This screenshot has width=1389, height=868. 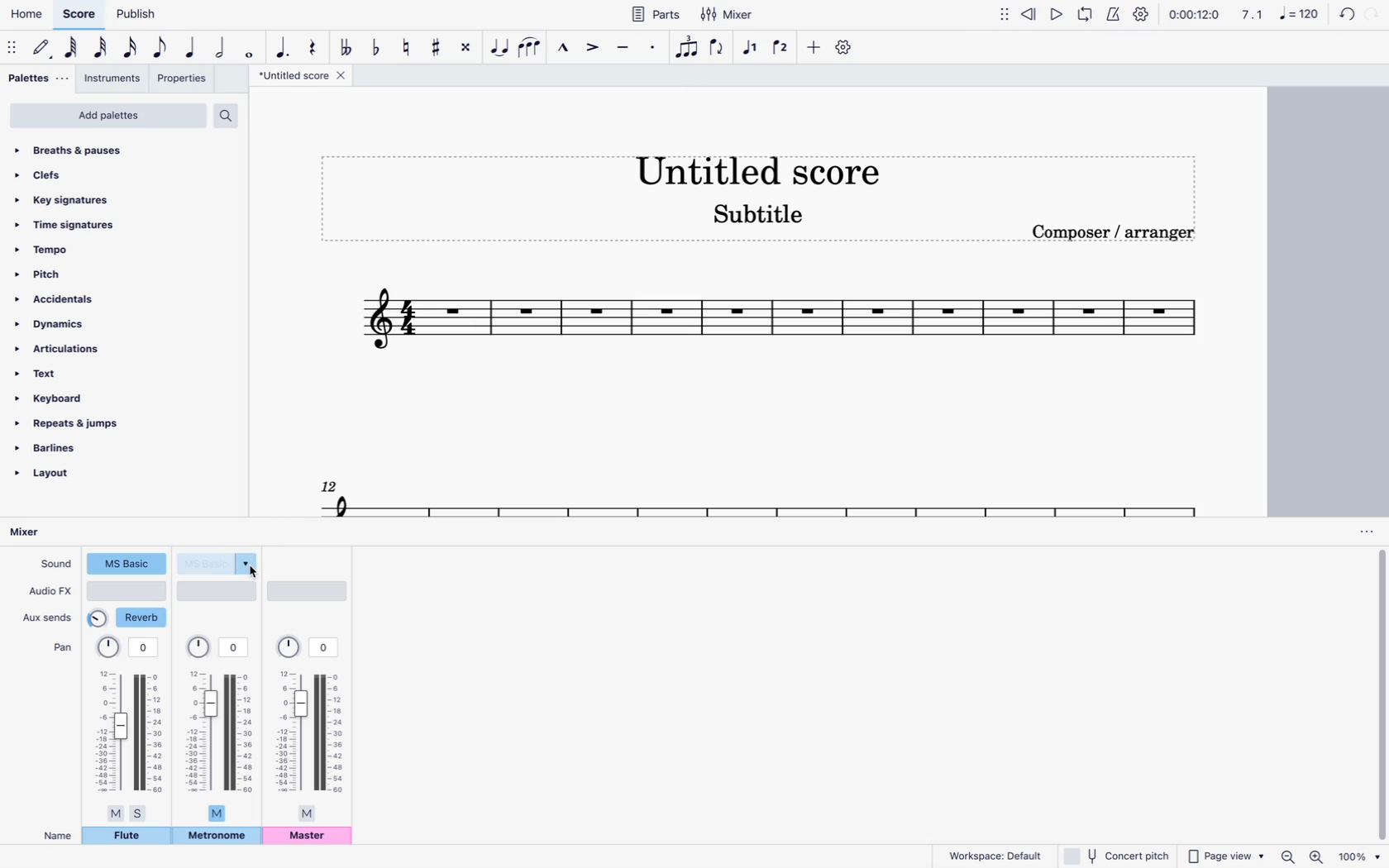 I want to click on options, so click(x=1360, y=532).